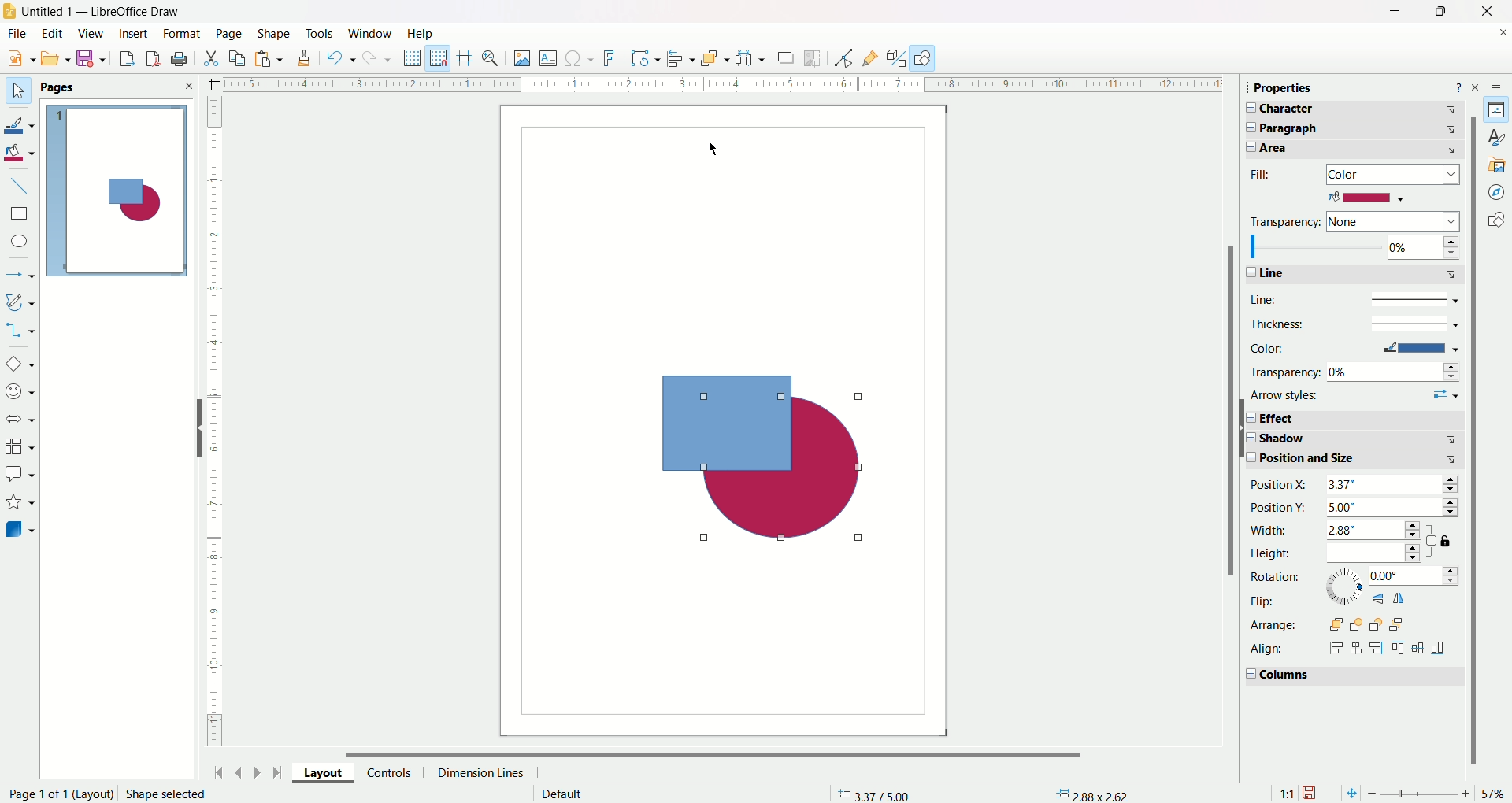  Describe the element at coordinates (1353, 348) in the screenshot. I see `color` at that location.